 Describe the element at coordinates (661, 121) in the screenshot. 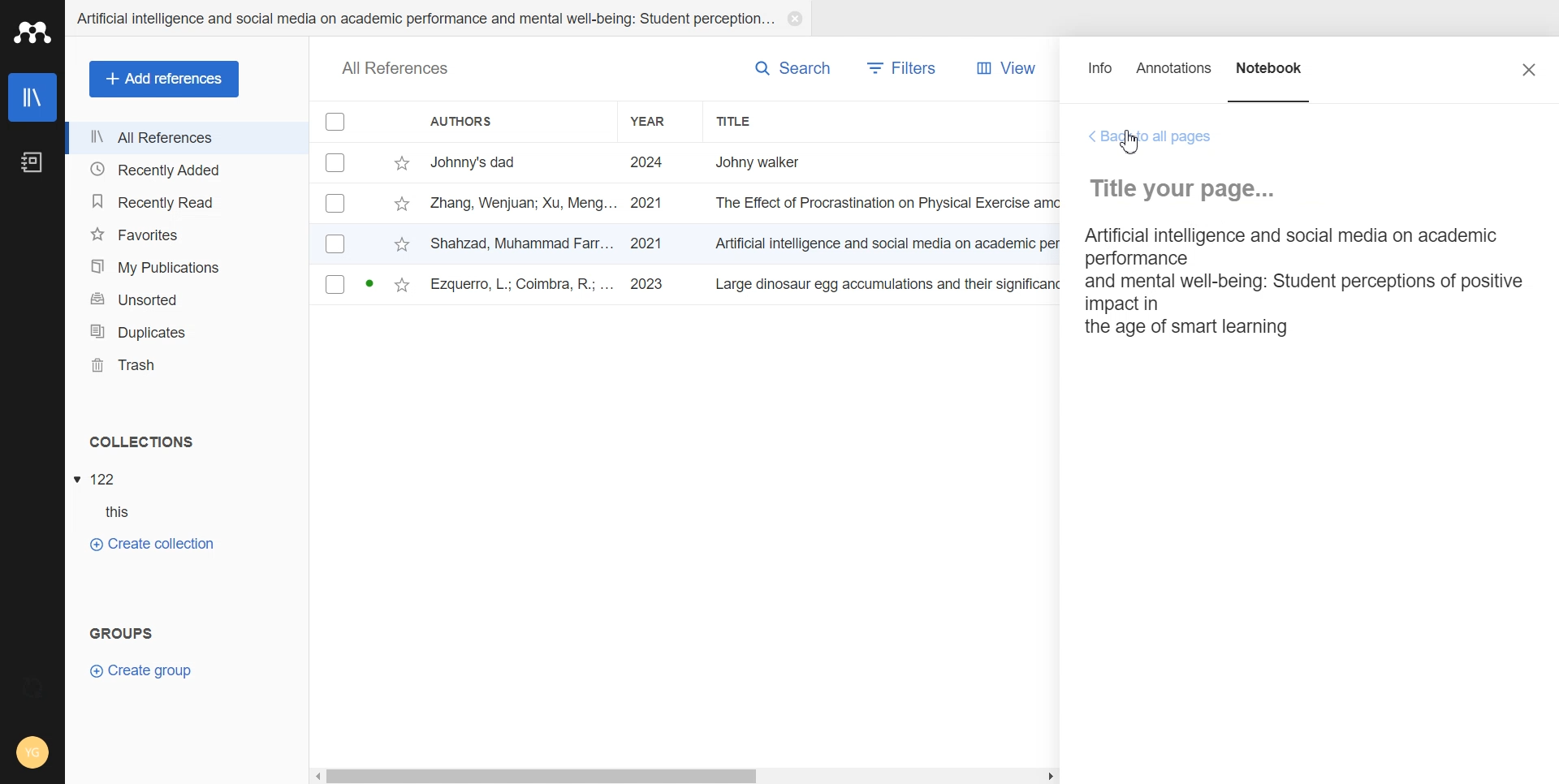

I see `Year` at that location.